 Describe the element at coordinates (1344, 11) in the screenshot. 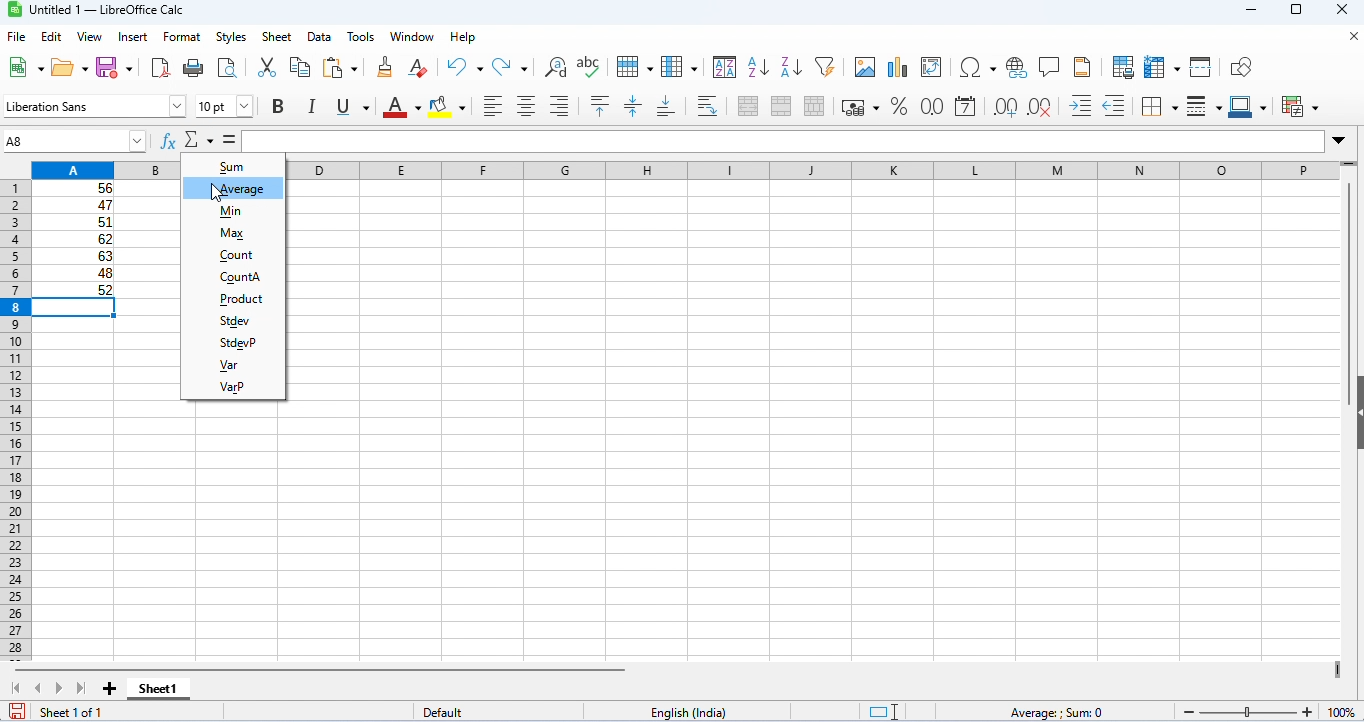

I see `close` at that location.